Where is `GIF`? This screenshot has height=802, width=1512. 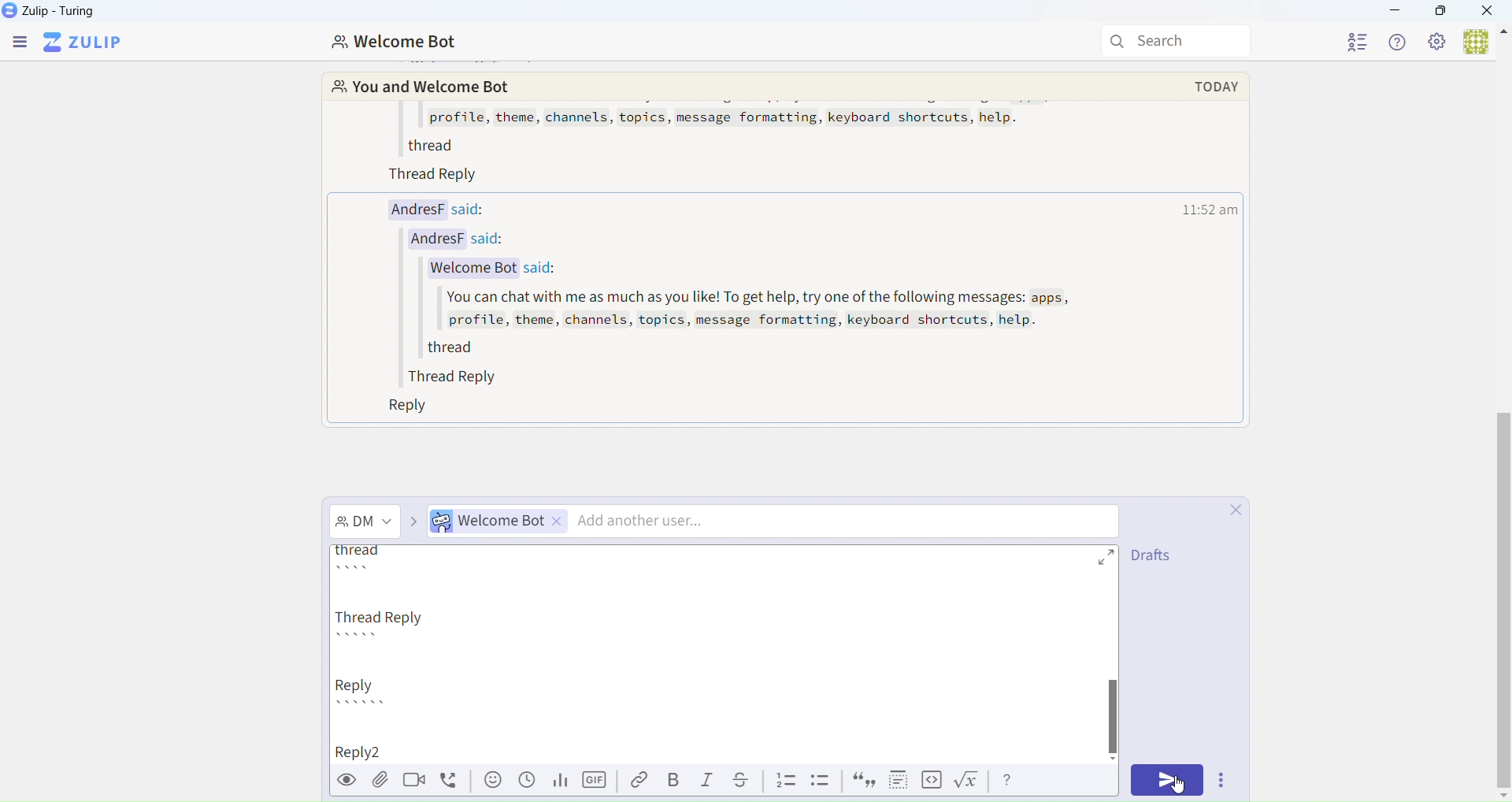 GIF is located at coordinates (594, 781).